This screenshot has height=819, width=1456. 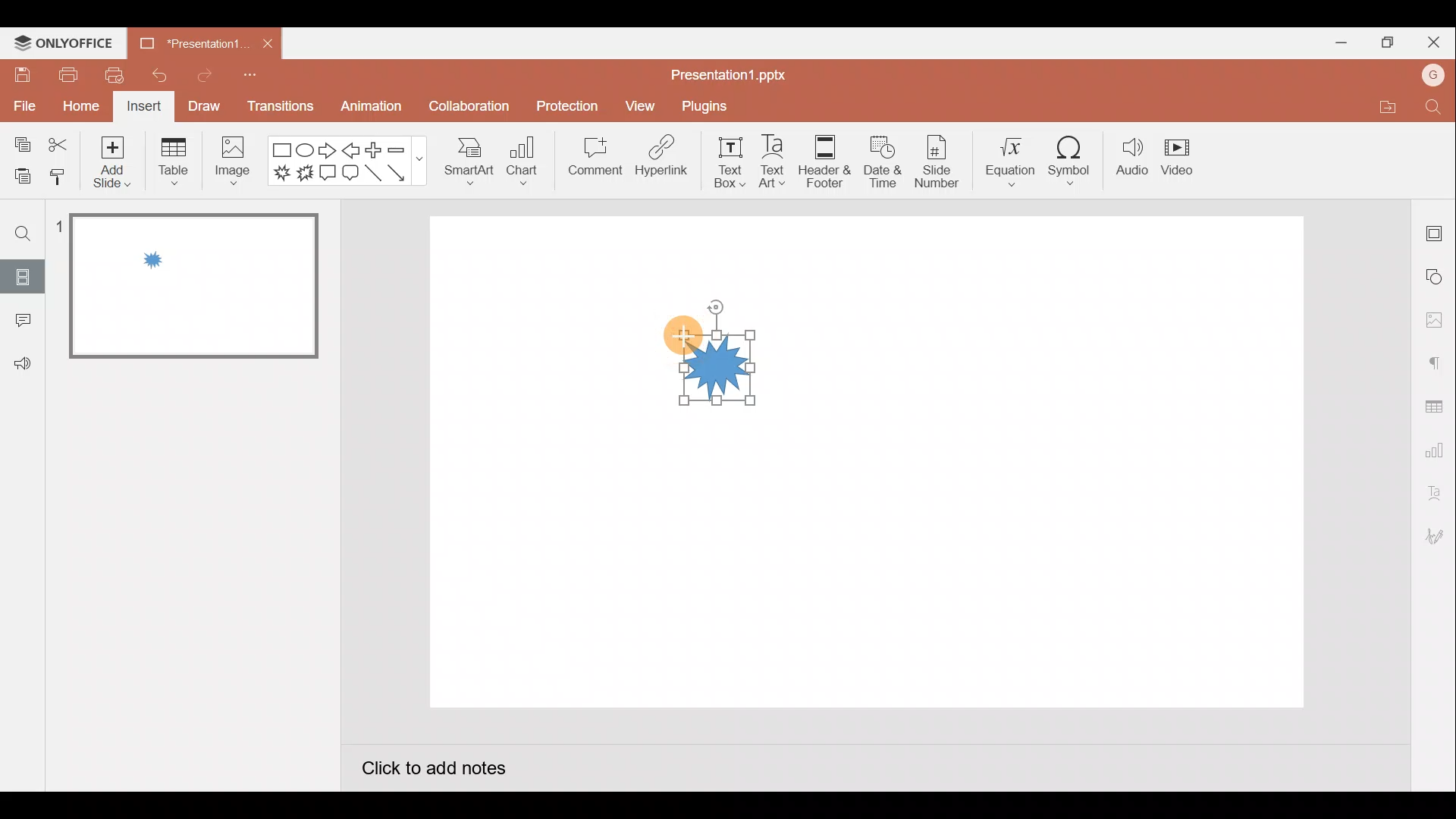 What do you see at coordinates (1185, 160) in the screenshot?
I see `Video` at bounding box center [1185, 160].